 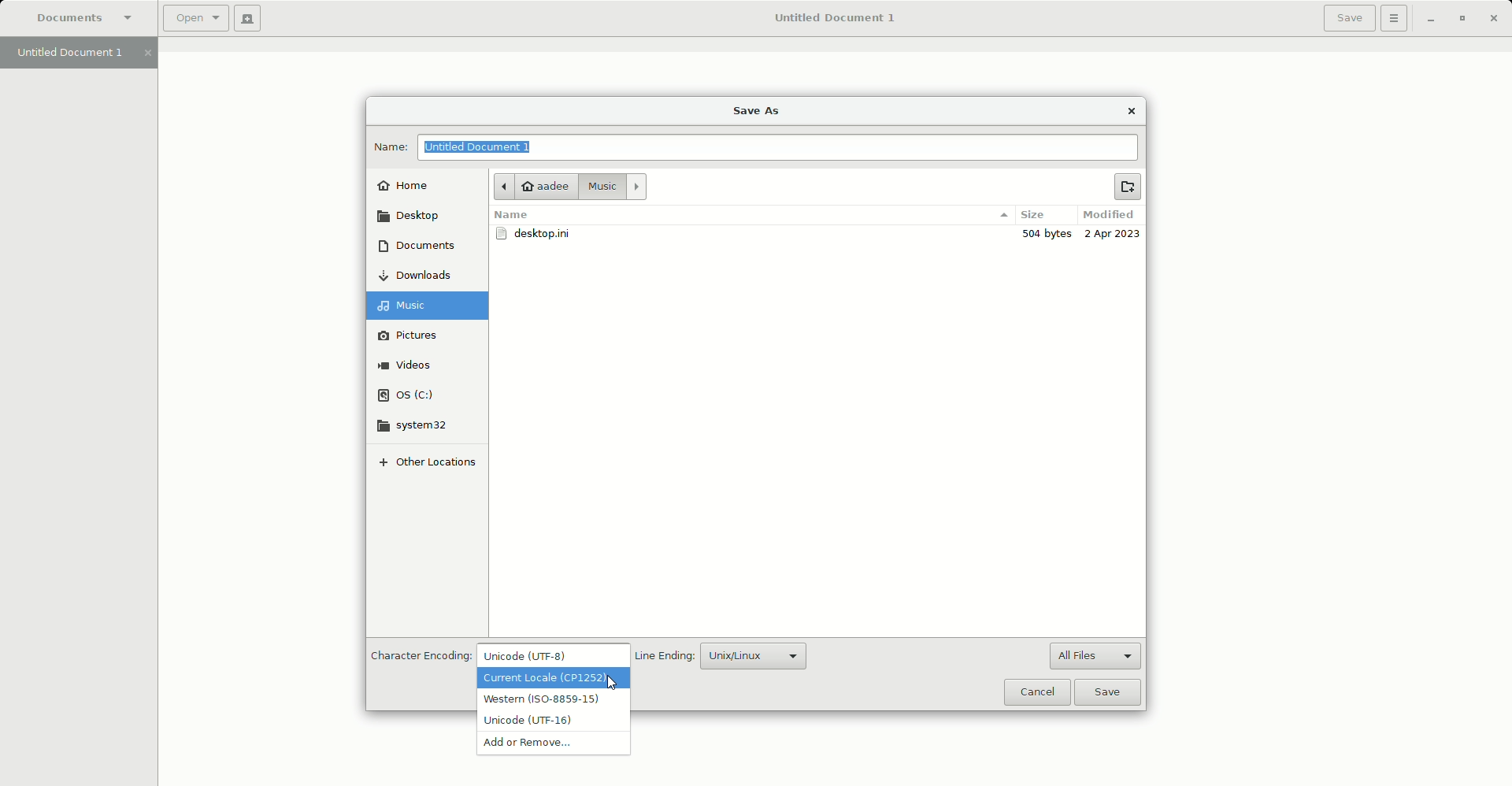 I want to click on Size, so click(x=1031, y=216).